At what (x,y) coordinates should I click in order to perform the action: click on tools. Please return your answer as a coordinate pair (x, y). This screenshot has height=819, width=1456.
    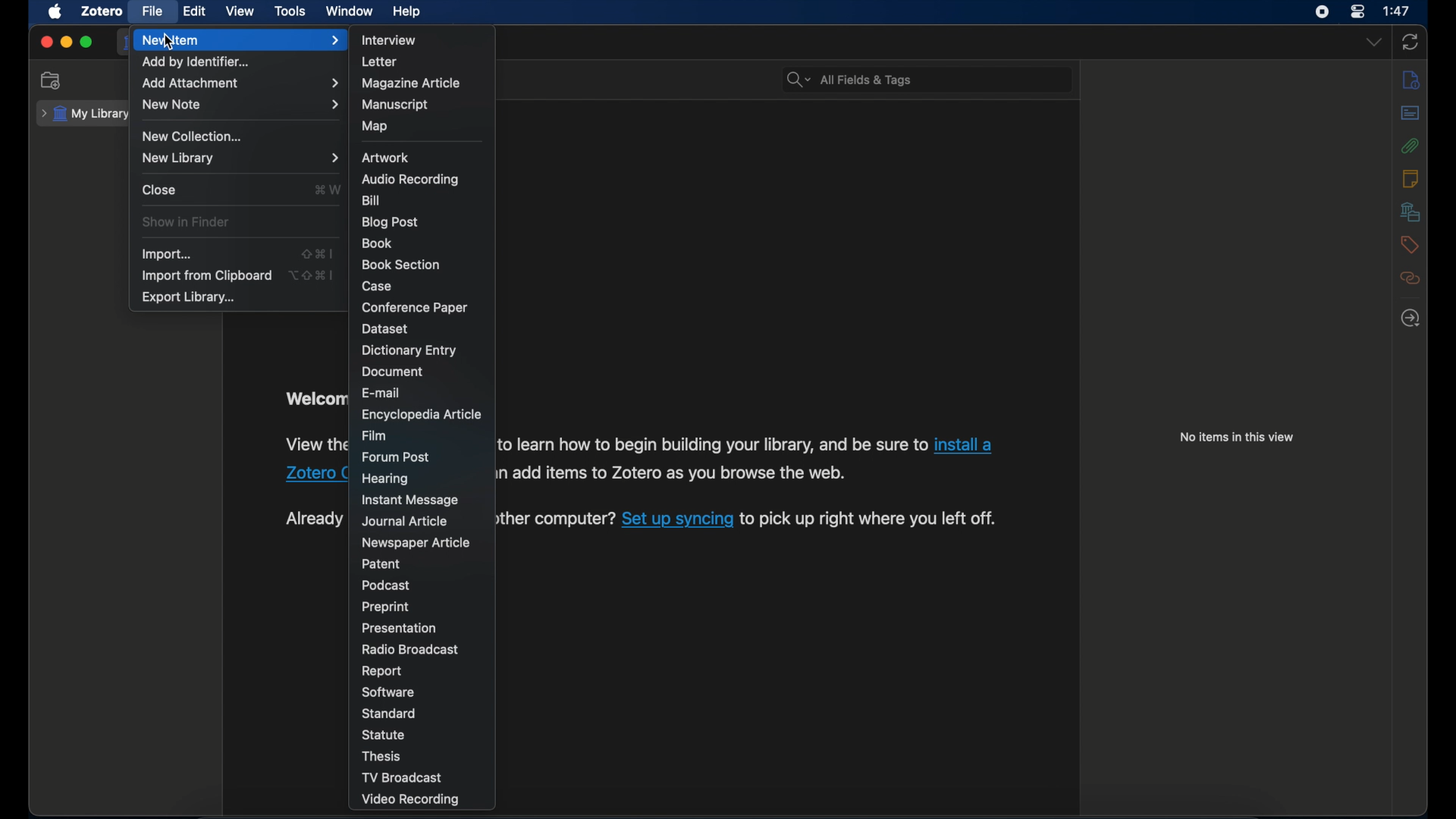
    Looking at the image, I should click on (290, 11).